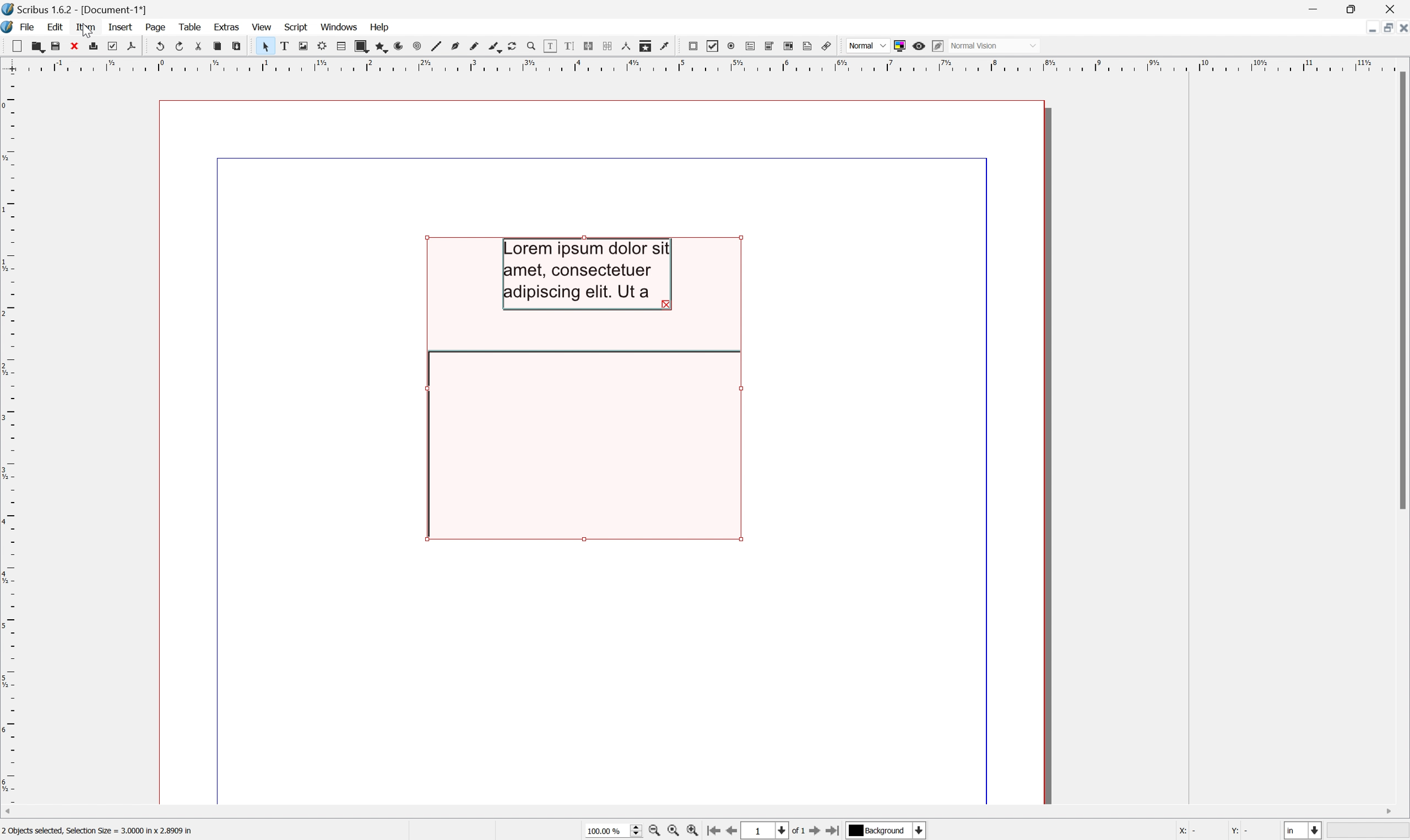 This screenshot has width=1410, height=840. Describe the element at coordinates (919, 45) in the screenshot. I see `Preview` at that location.